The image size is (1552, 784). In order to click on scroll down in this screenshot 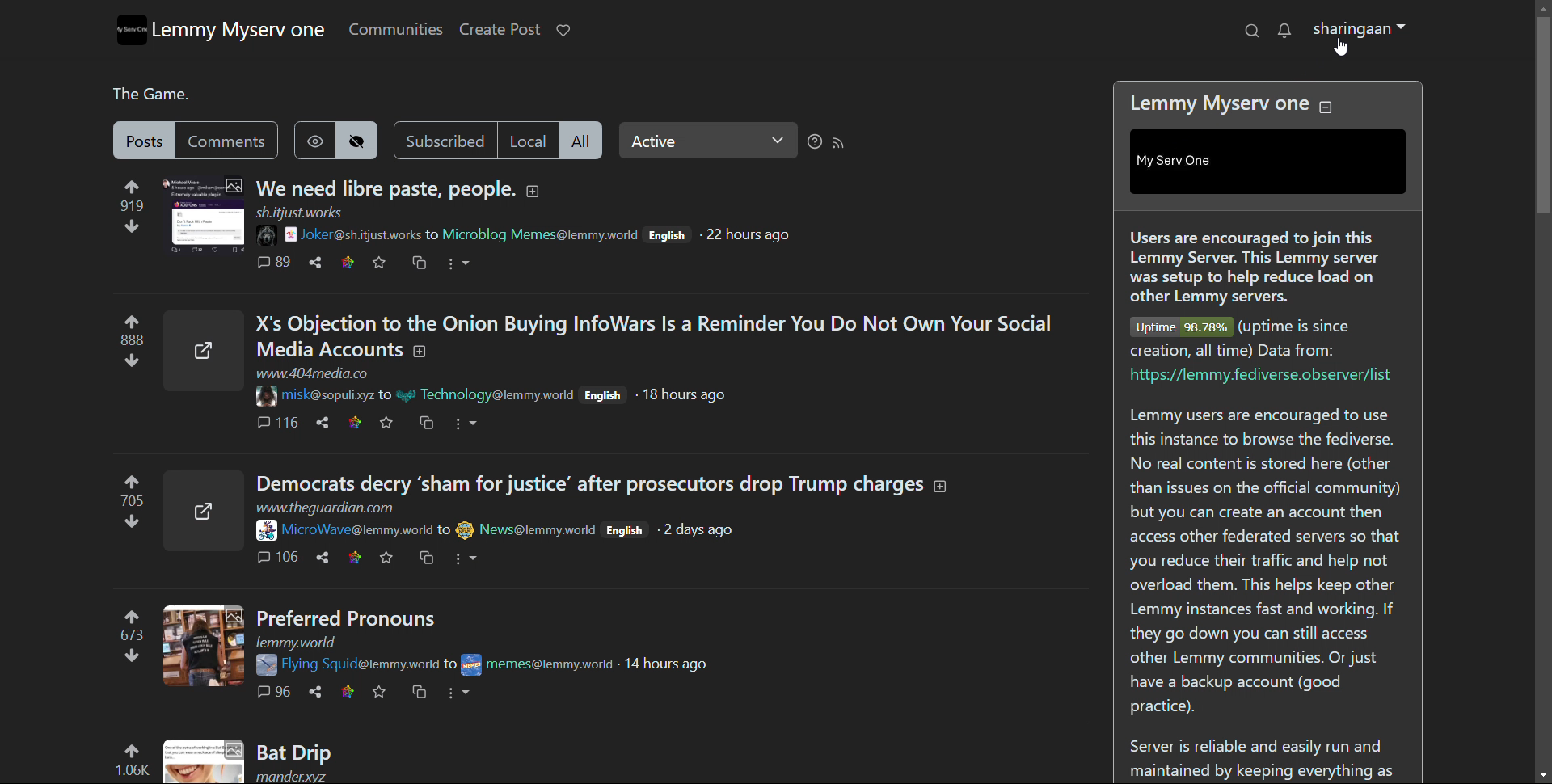, I will do `click(1542, 775)`.